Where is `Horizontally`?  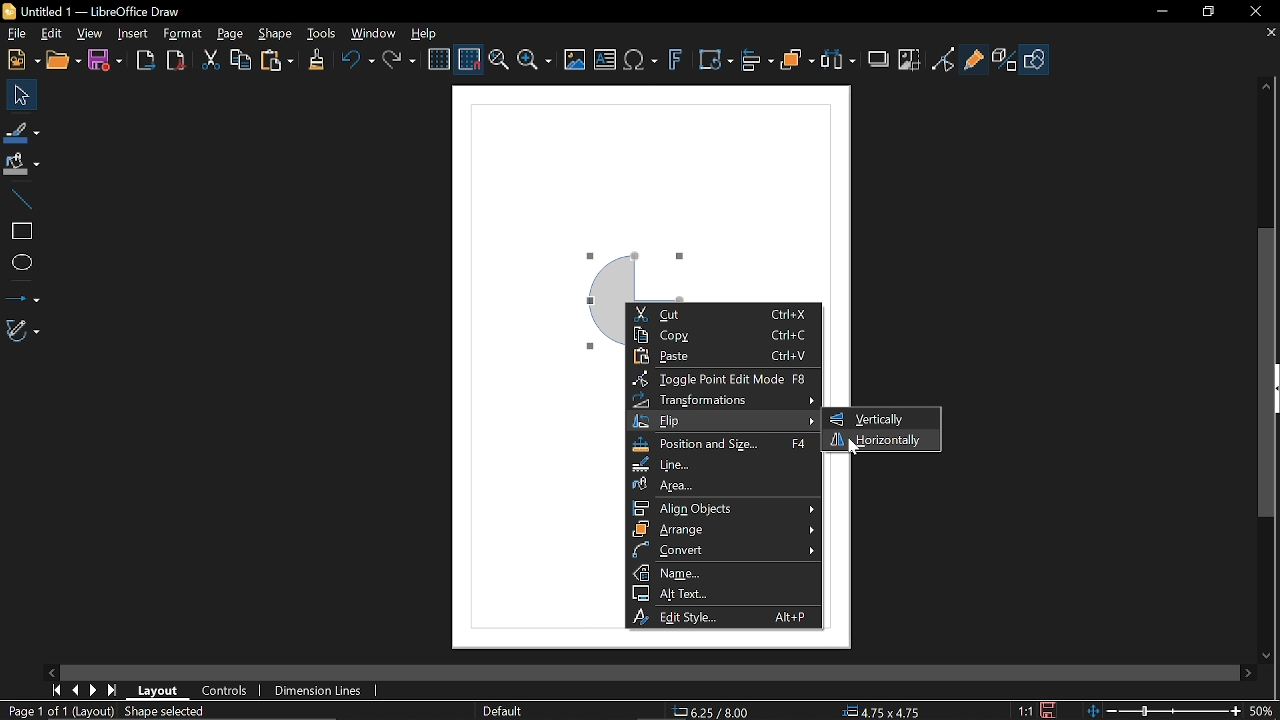 Horizontally is located at coordinates (877, 439).